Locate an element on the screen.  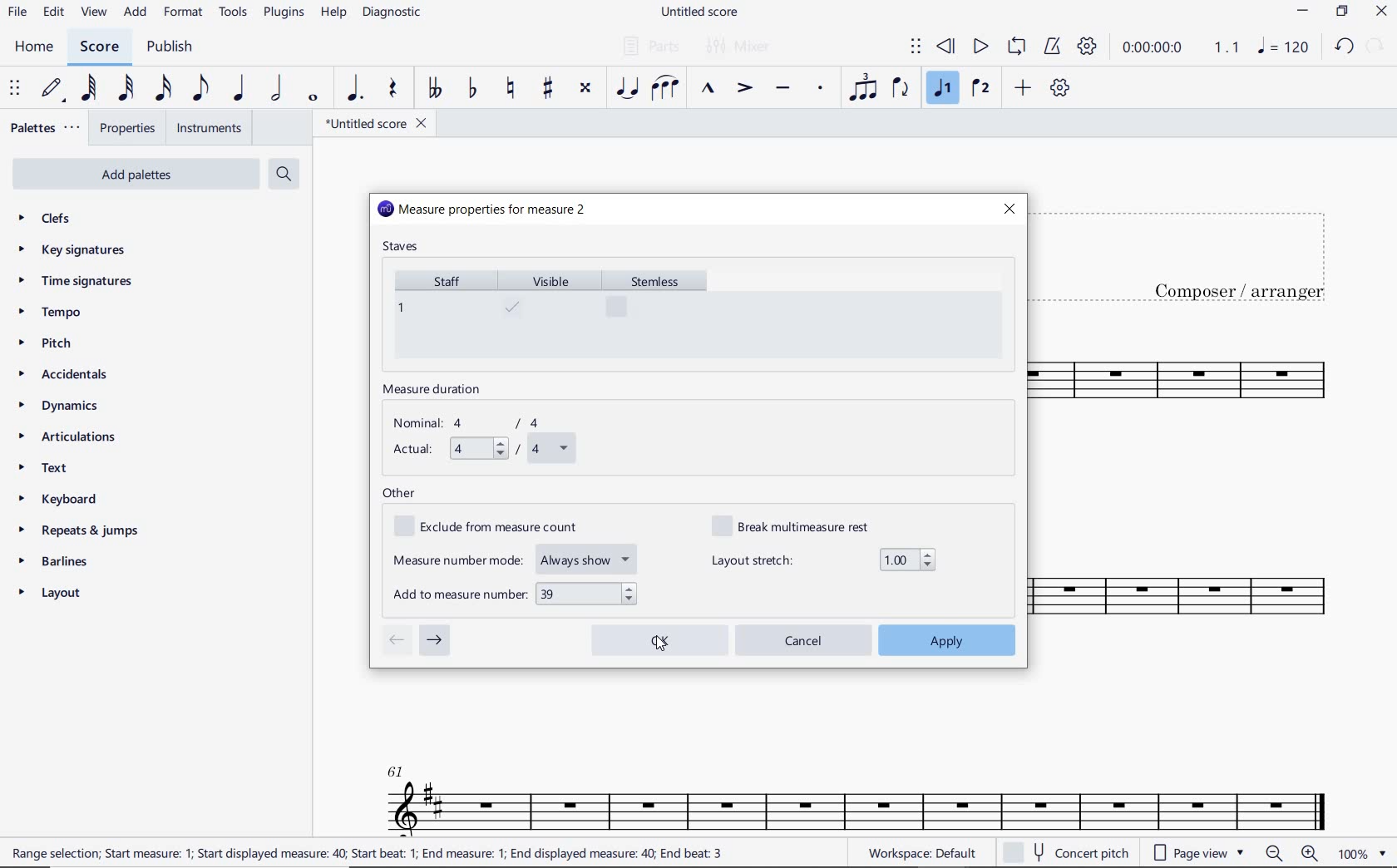
CLEFS is located at coordinates (55, 219).